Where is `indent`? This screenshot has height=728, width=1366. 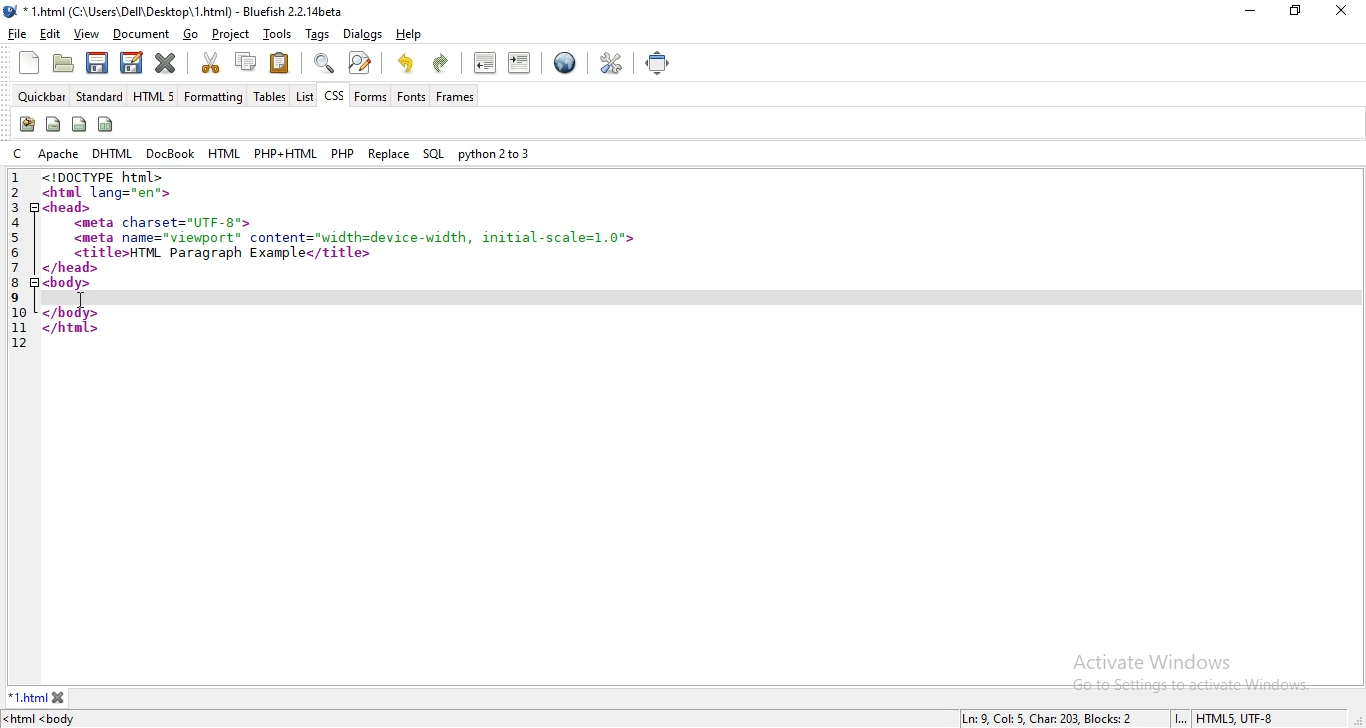
indent is located at coordinates (522, 64).